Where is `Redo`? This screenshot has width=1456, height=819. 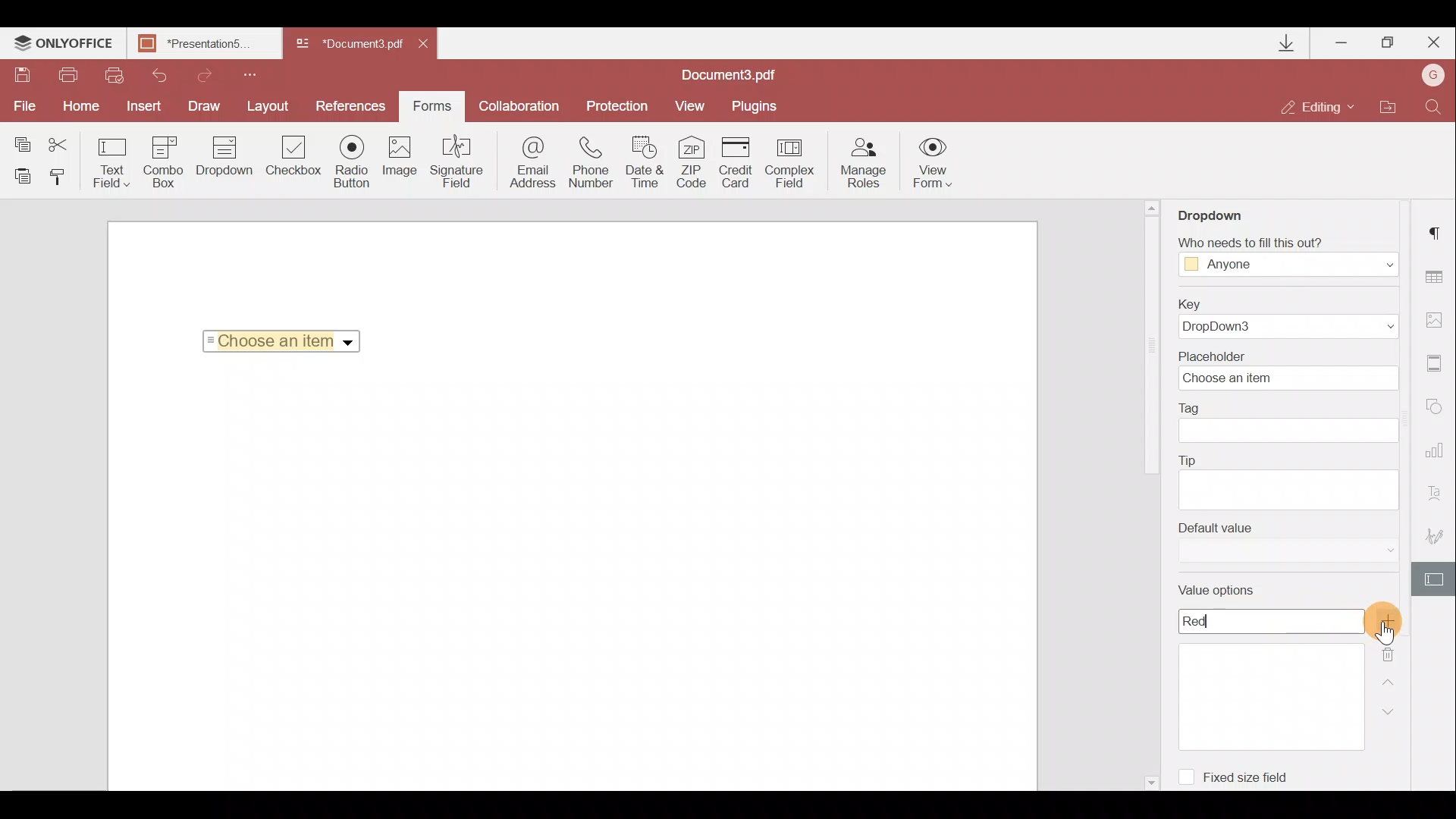 Redo is located at coordinates (206, 74).